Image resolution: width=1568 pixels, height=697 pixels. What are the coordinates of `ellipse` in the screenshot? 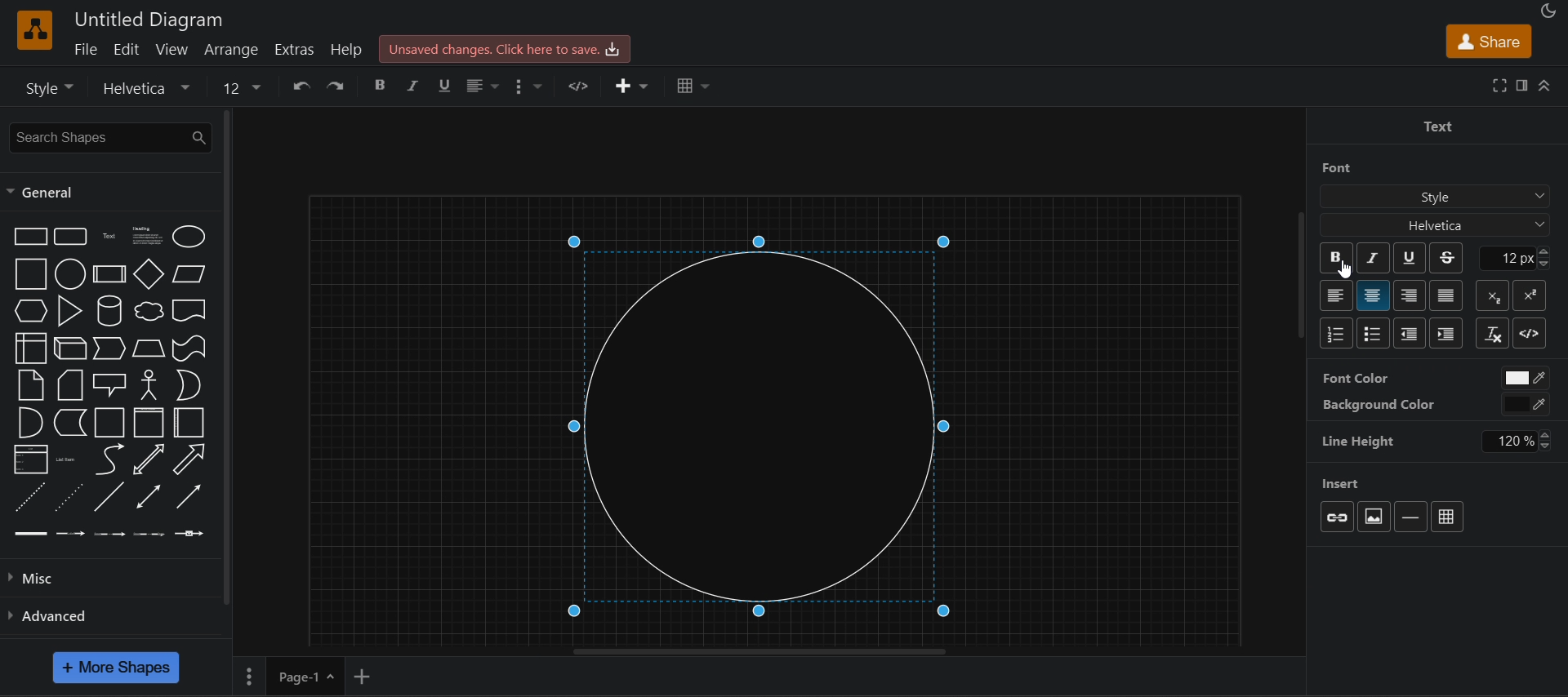 It's located at (191, 237).